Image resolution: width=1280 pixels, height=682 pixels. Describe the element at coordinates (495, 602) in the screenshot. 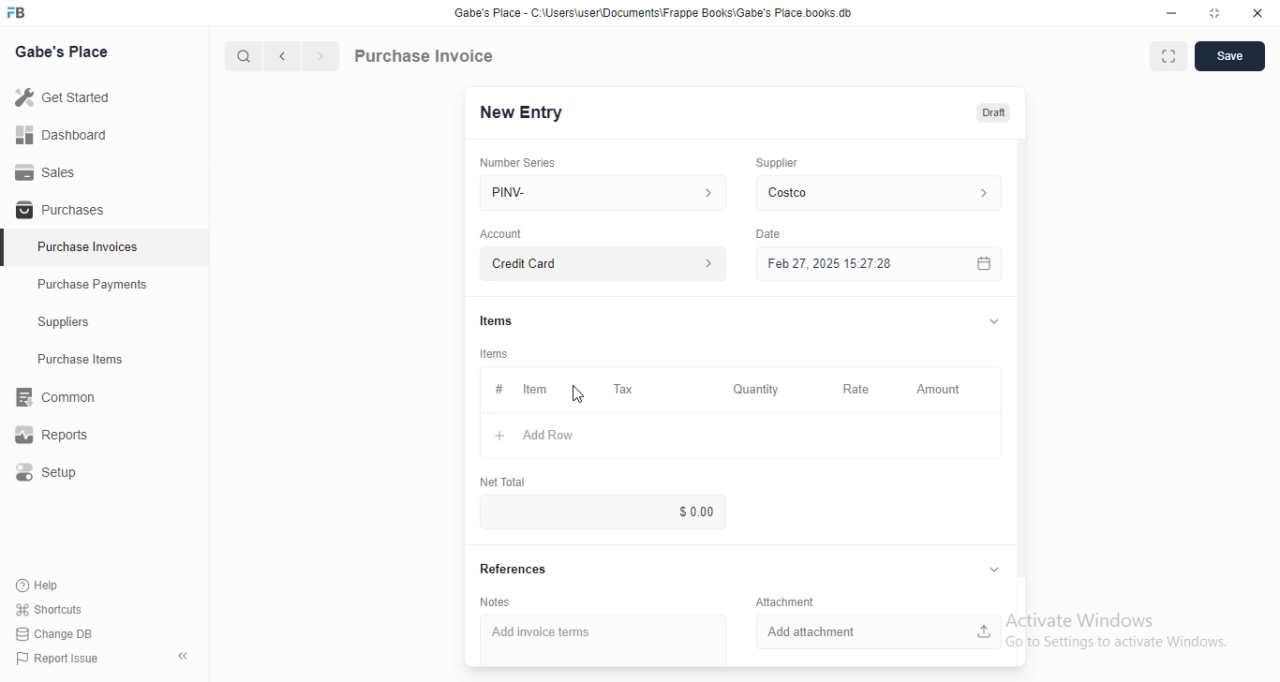

I see `Notes` at that location.